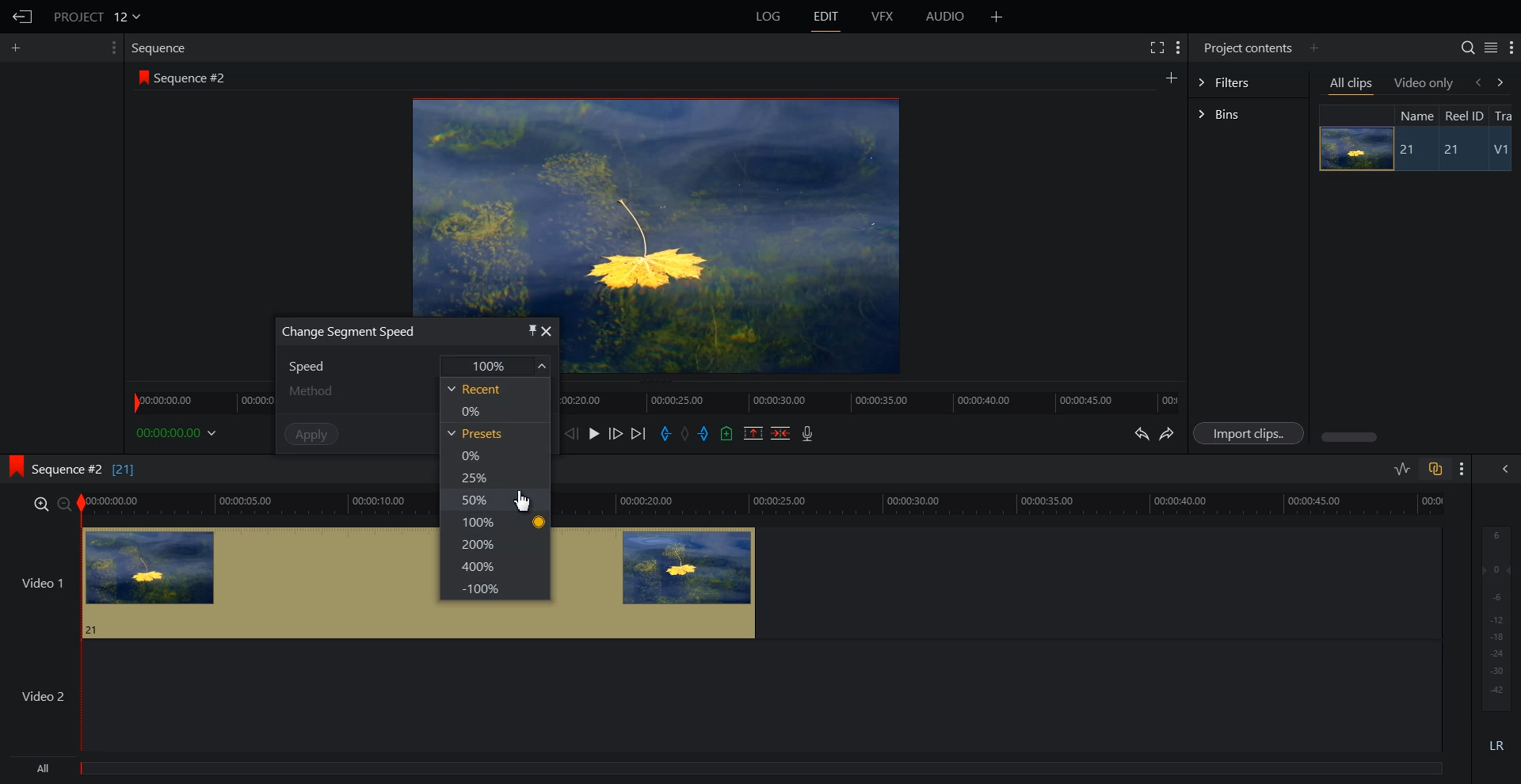 The image size is (1521, 784). What do you see at coordinates (721, 696) in the screenshot?
I see `Video 2` at bounding box center [721, 696].